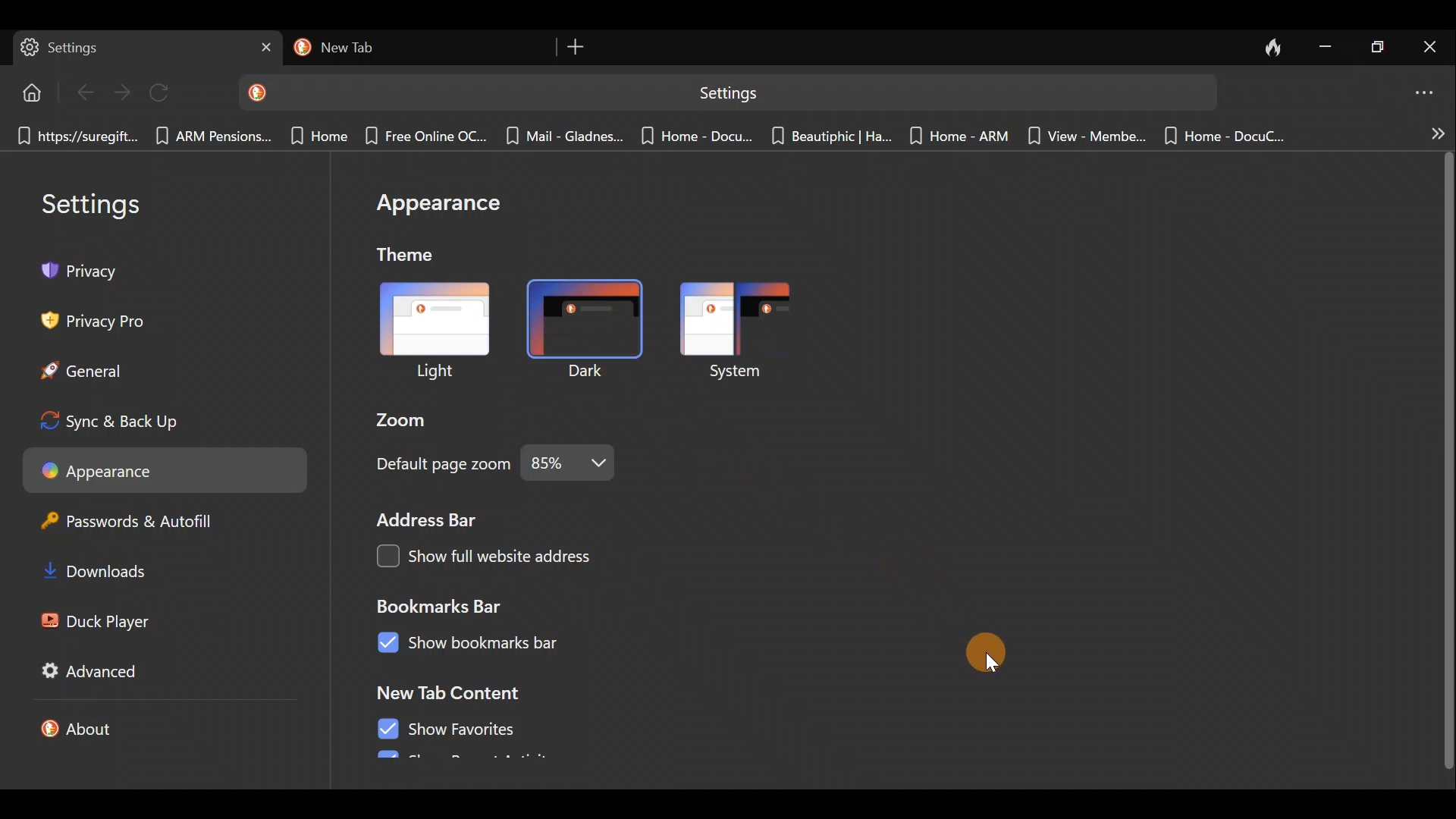  What do you see at coordinates (83, 318) in the screenshot?
I see `Privacy pro` at bounding box center [83, 318].